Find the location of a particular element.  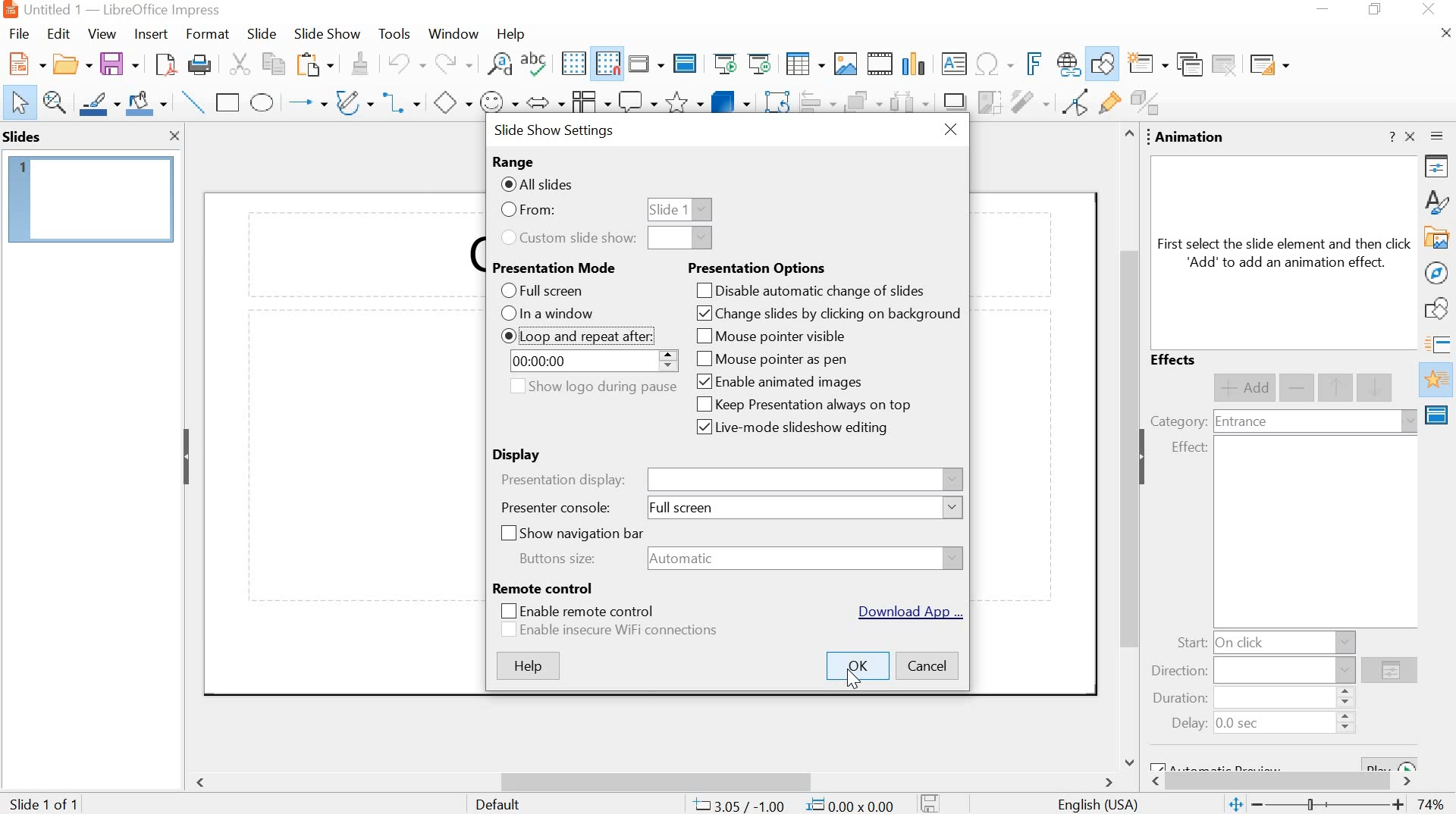

insert menu is located at coordinates (149, 34).